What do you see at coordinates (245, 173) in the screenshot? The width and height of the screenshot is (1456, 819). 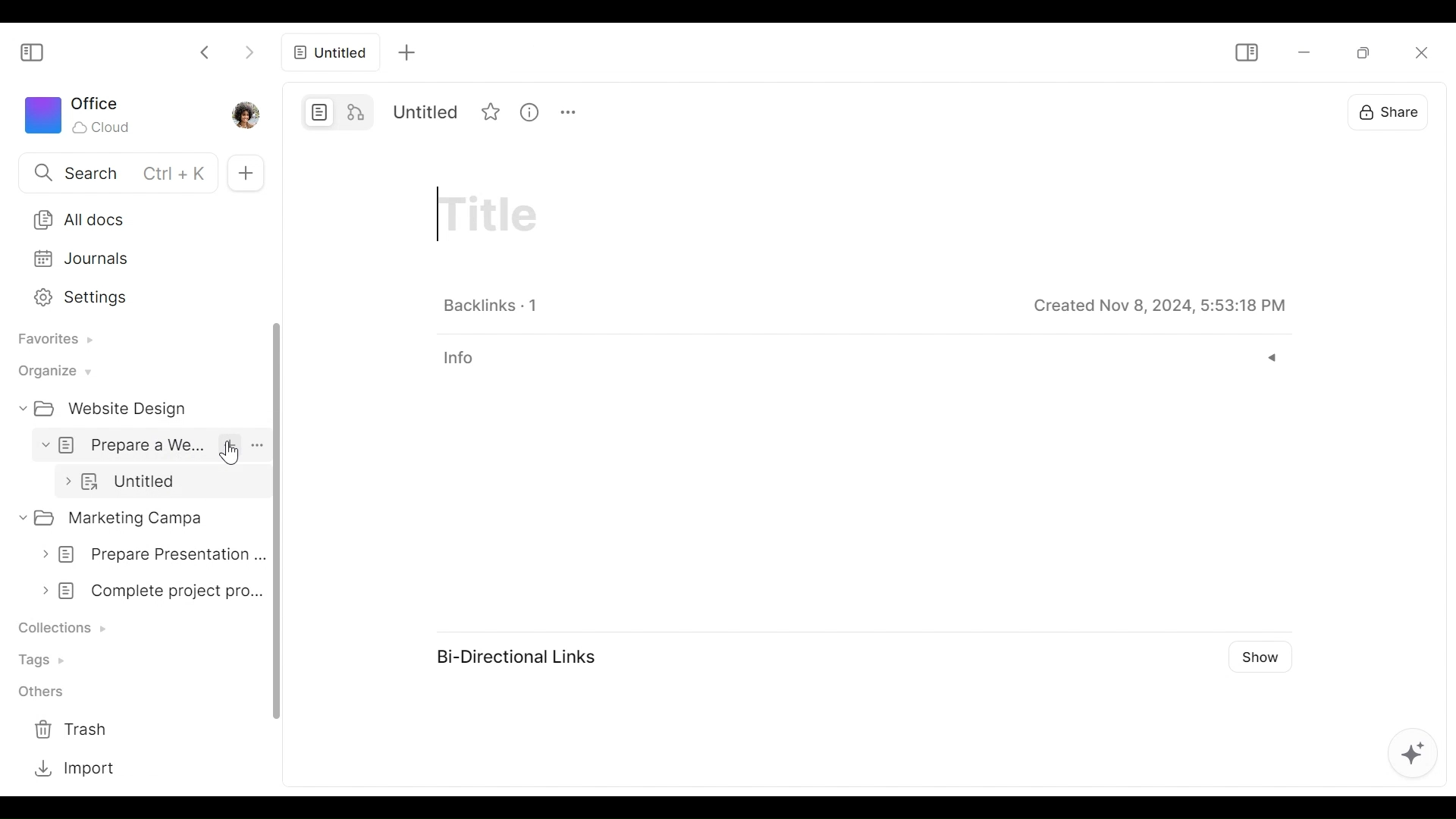 I see `New` at bounding box center [245, 173].